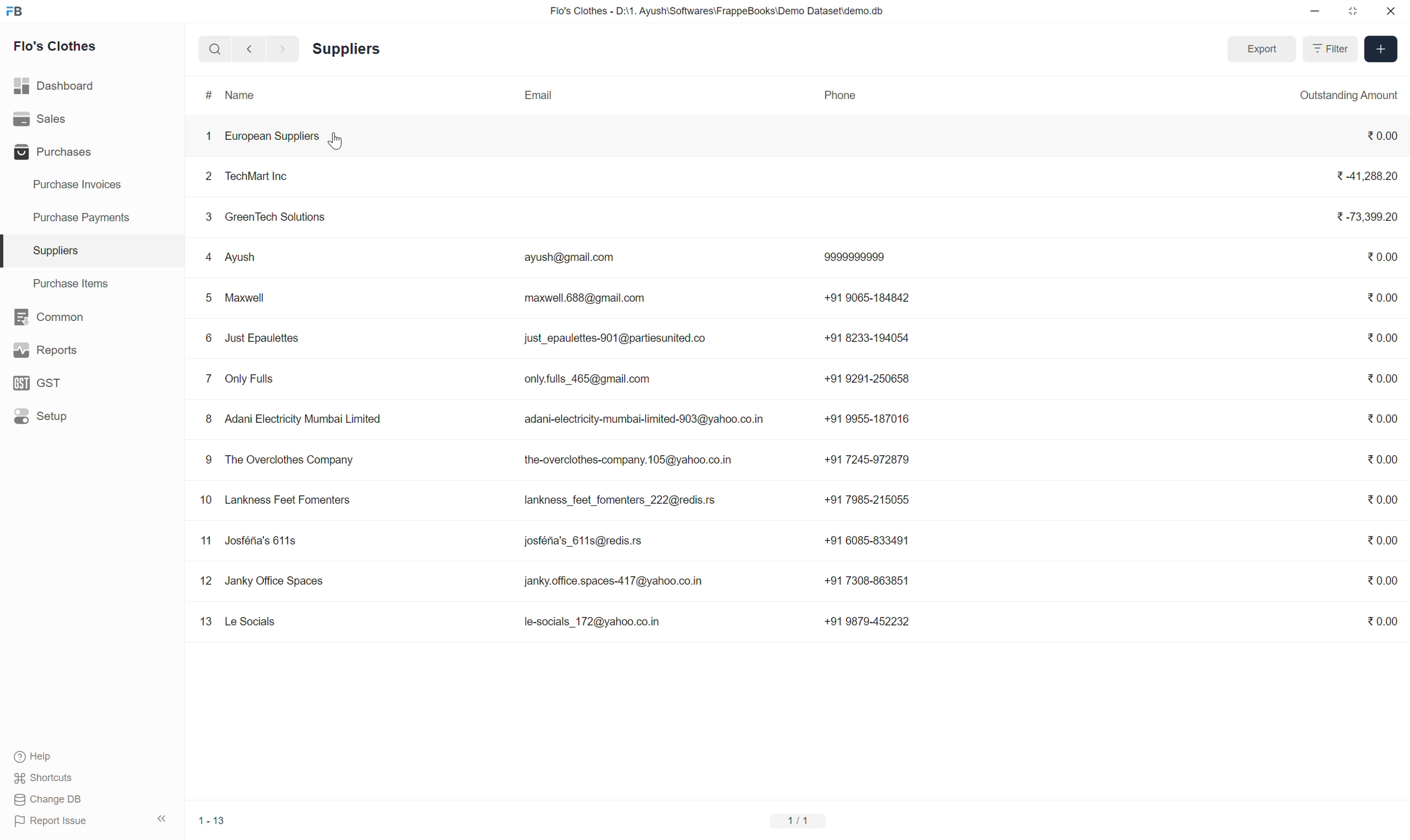 This screenshot has height=840, width=1410. What do you see at coordinates (843, 99) in the screenshot?
I see `PHONE` at bounding box center [843, 99].